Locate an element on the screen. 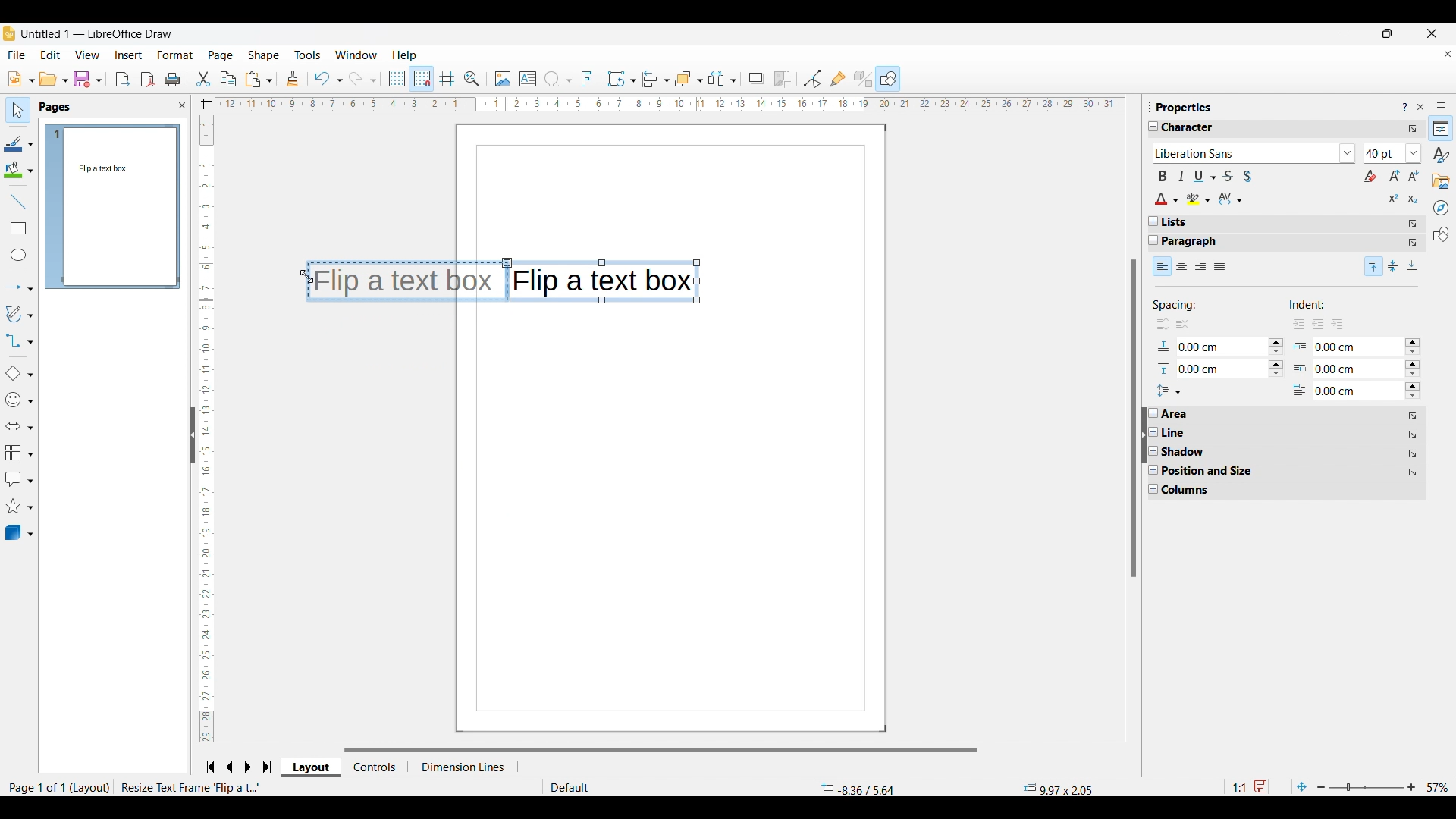 This screenshot has width=1456, height=819. Insert rectangle is located at coordinates (19, 228).